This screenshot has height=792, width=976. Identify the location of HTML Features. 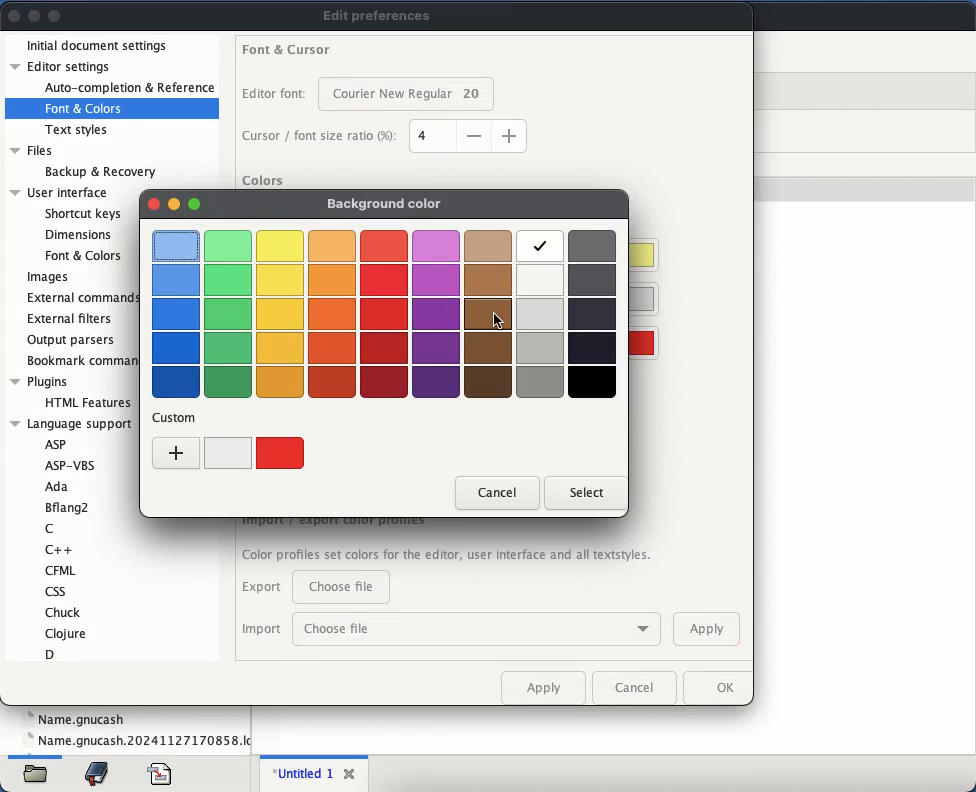
(88, 402).